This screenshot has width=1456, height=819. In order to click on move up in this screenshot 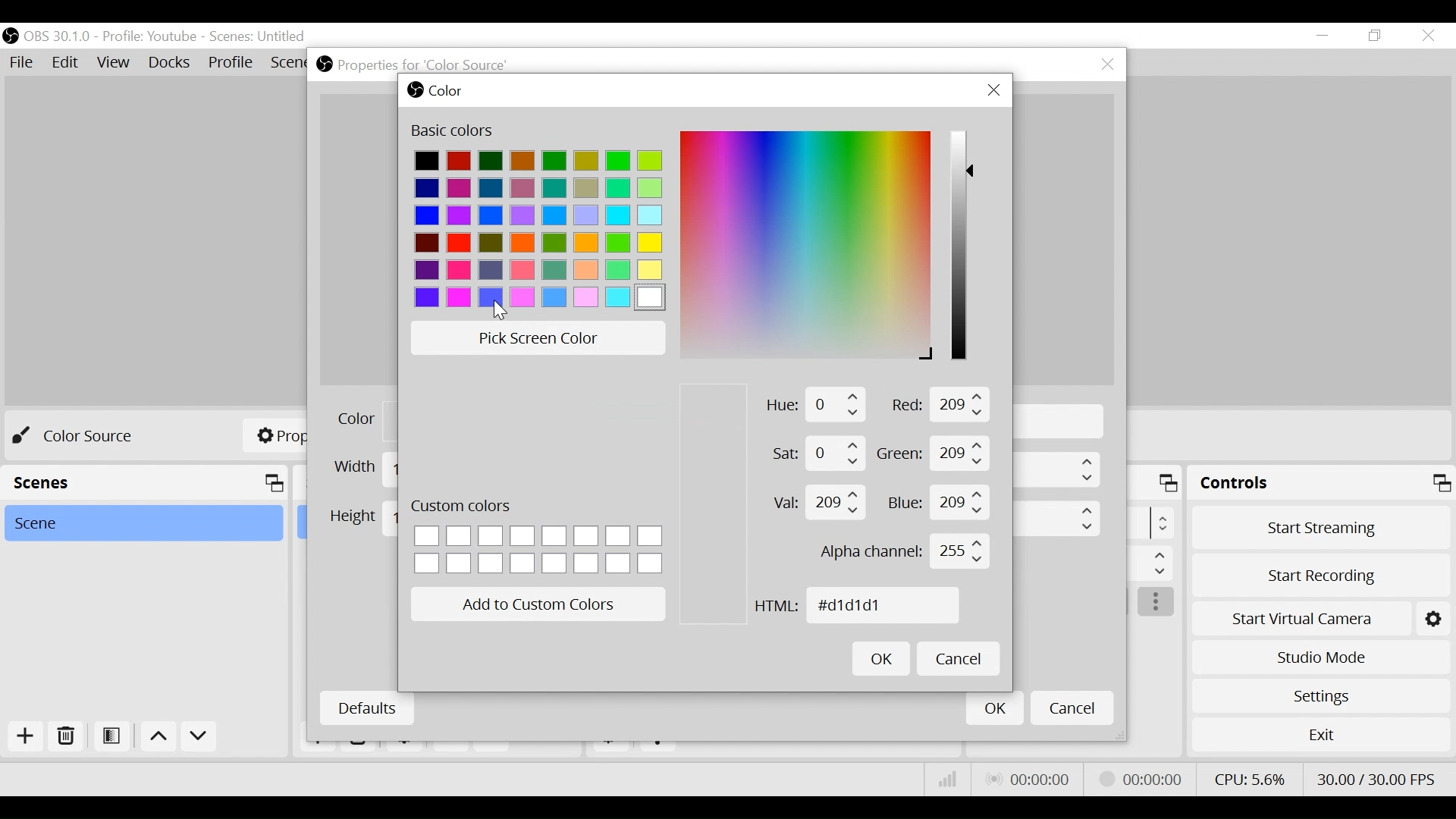, I will do `click(157, 736)`.